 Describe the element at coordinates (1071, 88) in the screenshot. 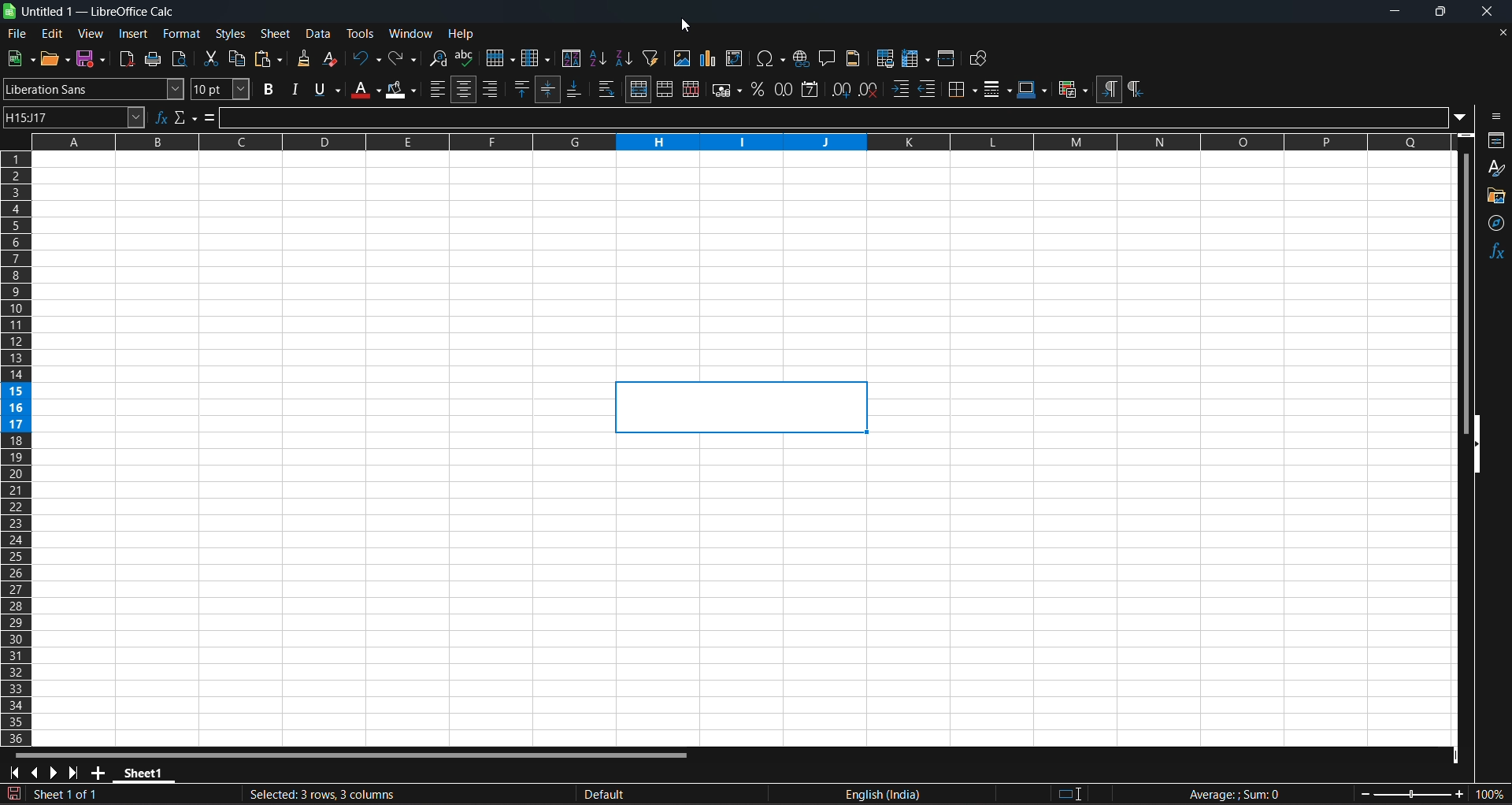

I see `conditional` at that location.